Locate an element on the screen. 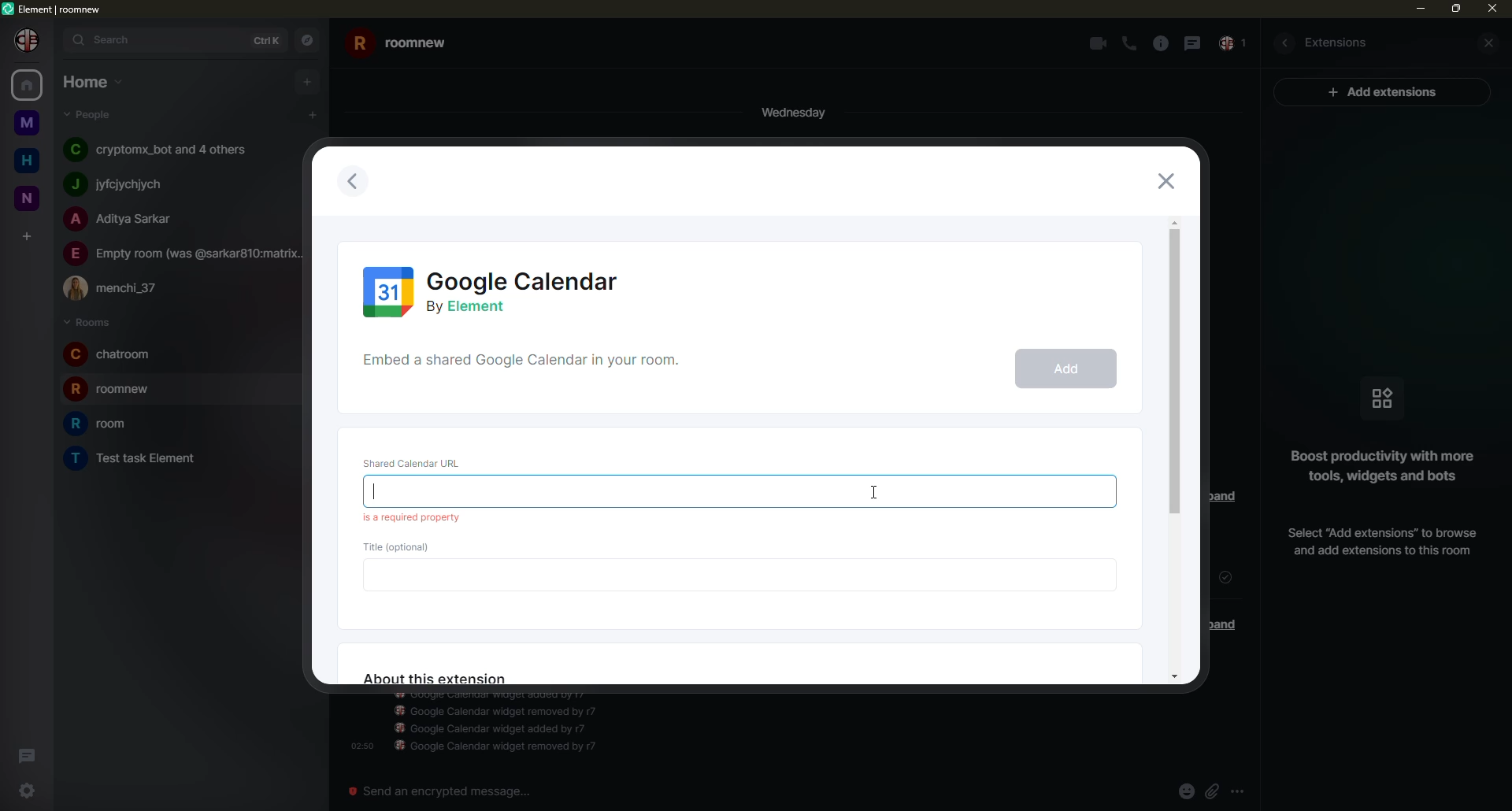 The width and height of the screenshot is (1512, 811). close is located at coordinates (1492, 42).